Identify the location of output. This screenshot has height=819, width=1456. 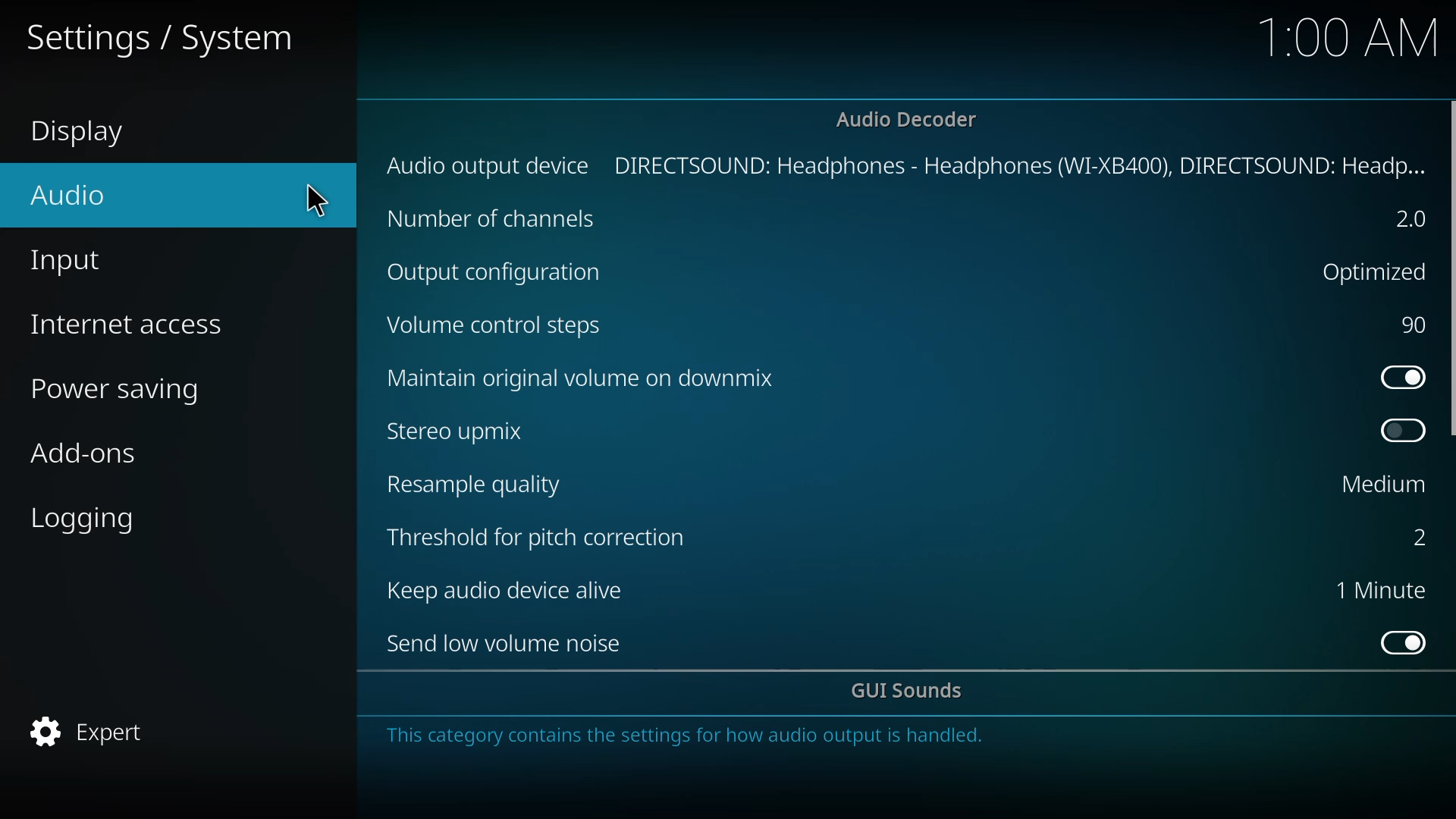
(902, 165).